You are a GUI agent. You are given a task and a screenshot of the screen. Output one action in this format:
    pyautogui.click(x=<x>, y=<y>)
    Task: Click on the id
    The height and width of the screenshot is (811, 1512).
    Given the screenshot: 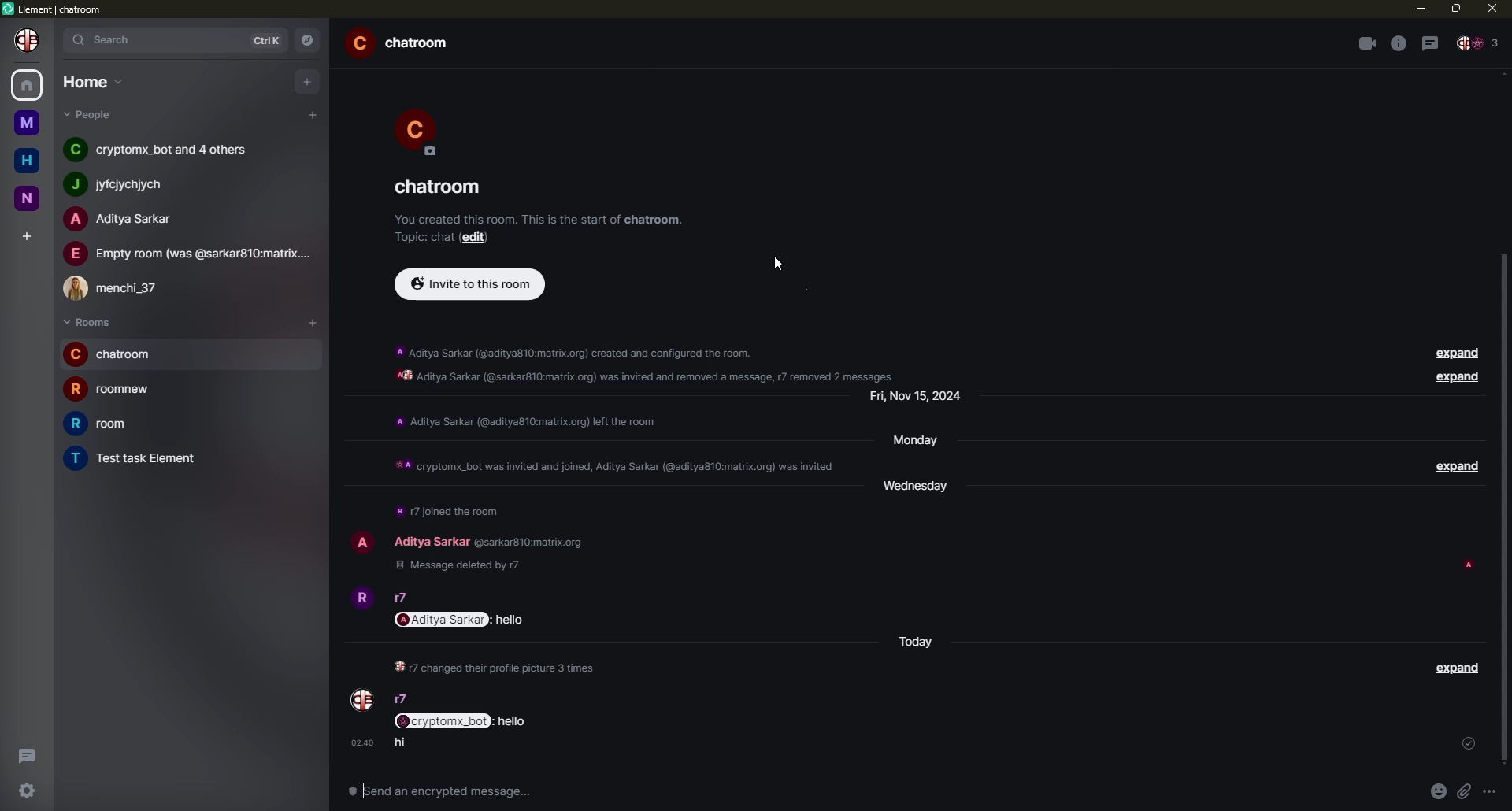 What is the action you would take?
    pyautogui.click(x=530, y=542)
    